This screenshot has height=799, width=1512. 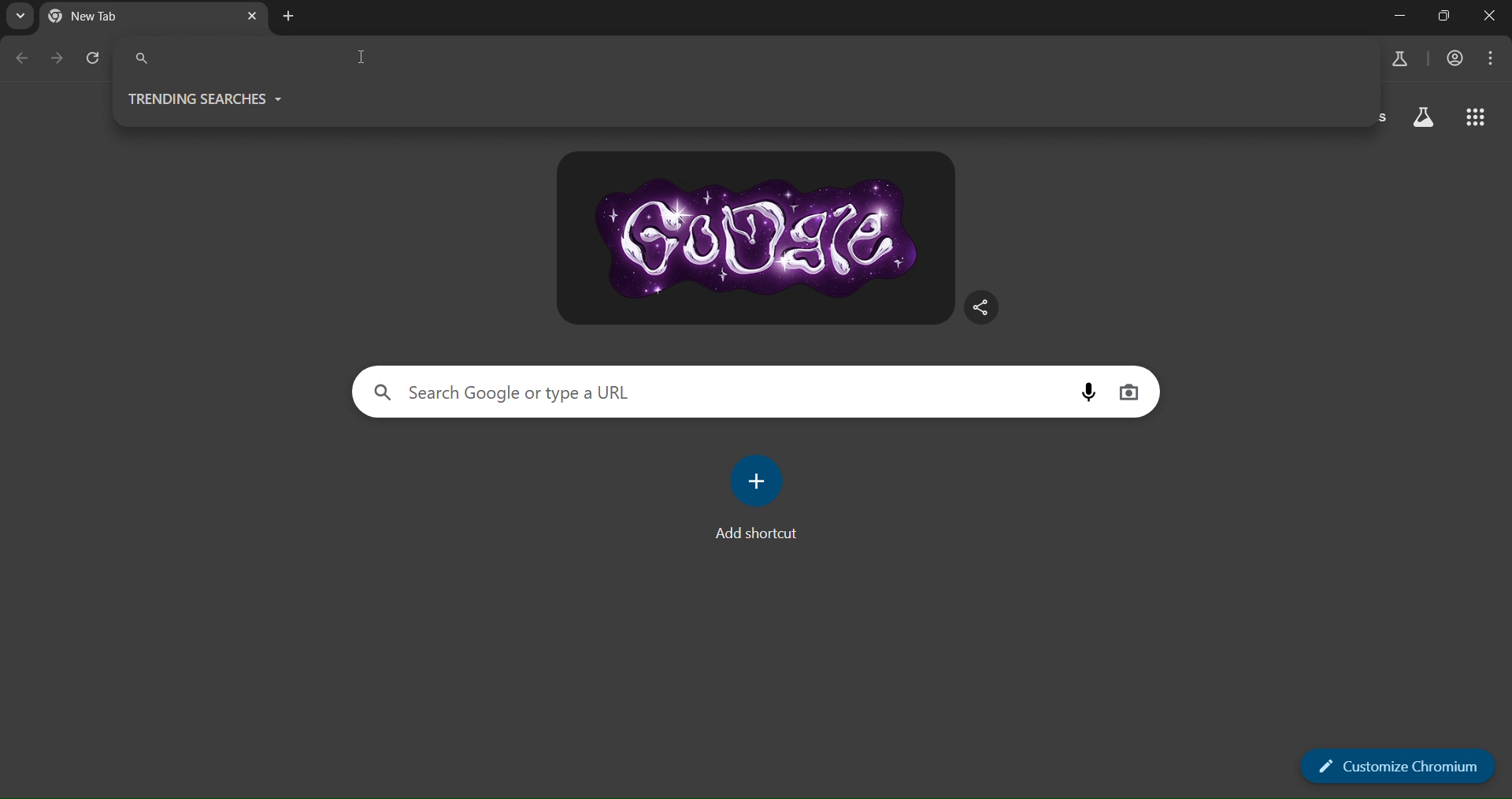 I want to click on account, so click(x=1453, y=58).